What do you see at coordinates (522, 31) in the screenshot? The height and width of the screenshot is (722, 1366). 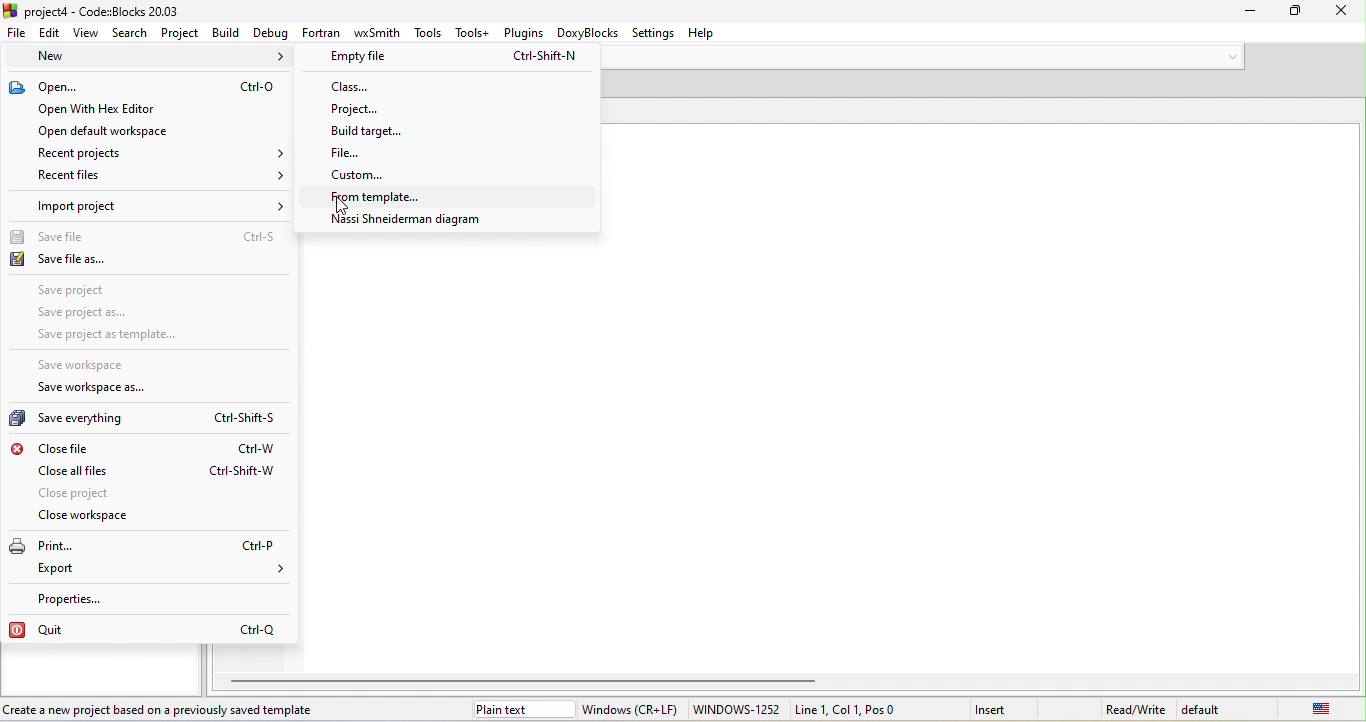 I see `plugins` at bounding box center [522, 31].